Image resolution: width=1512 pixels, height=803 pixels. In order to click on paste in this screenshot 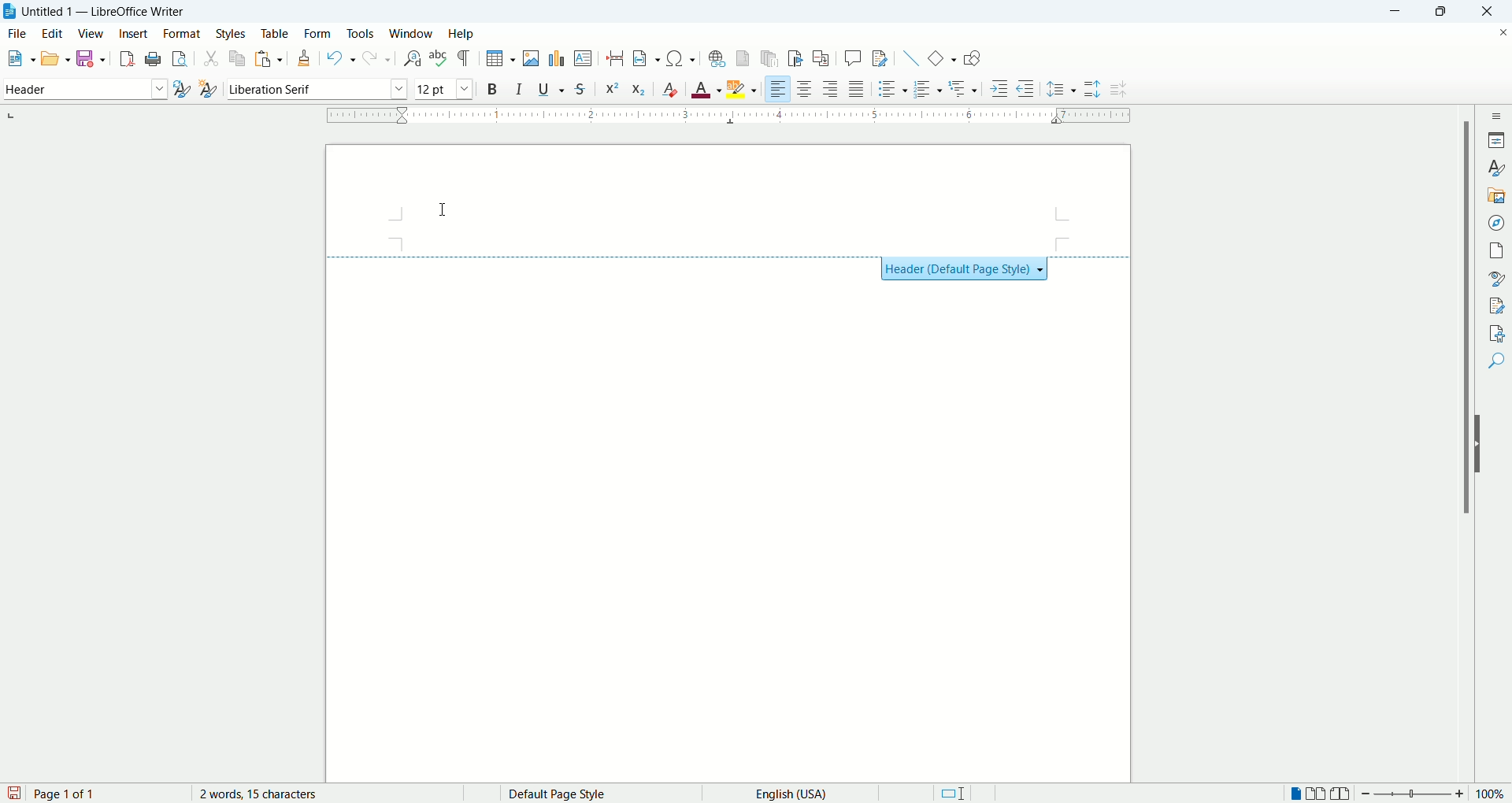, I will do `click(268, 59)`.